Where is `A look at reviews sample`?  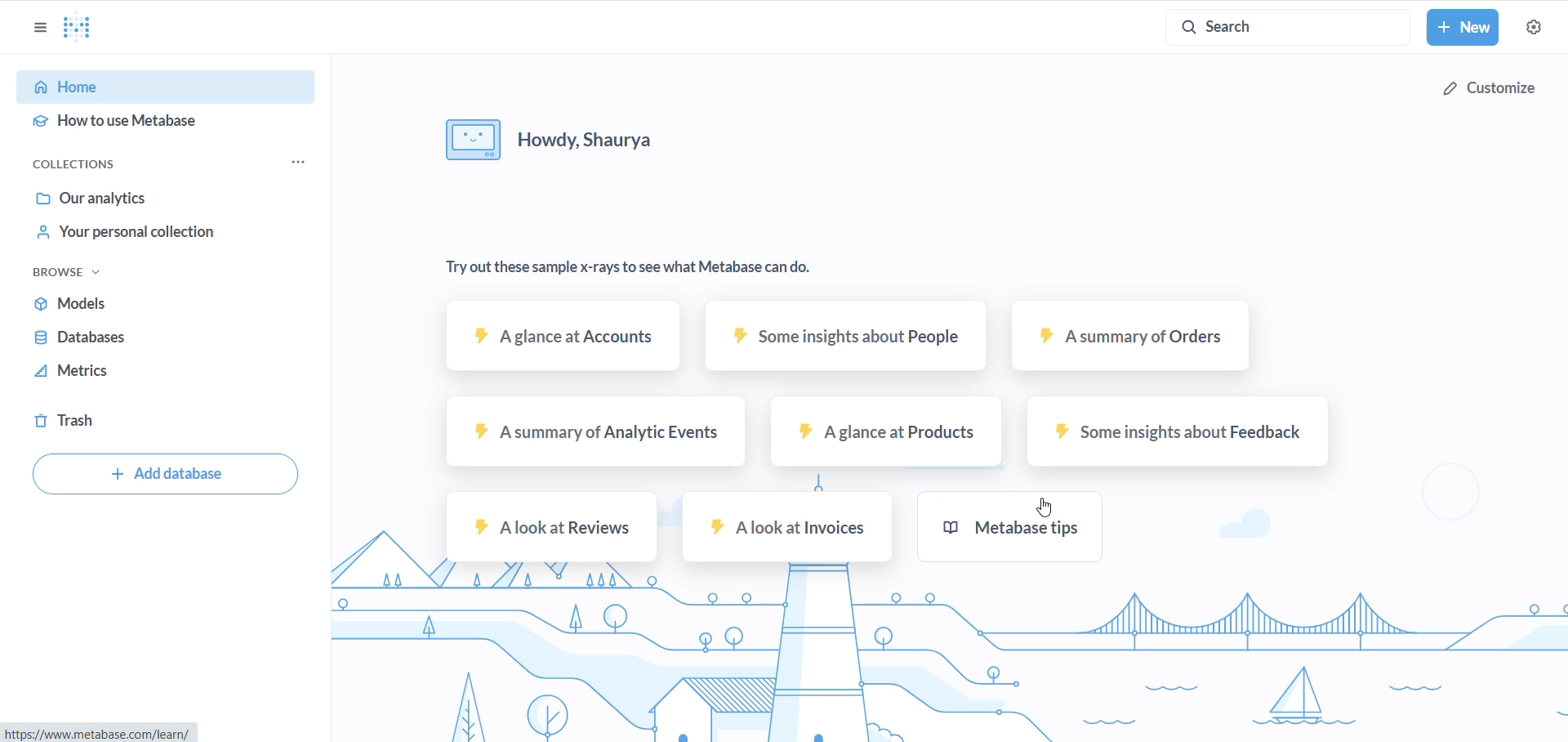
A look at reviews sample is located at coordinates (555, 532).